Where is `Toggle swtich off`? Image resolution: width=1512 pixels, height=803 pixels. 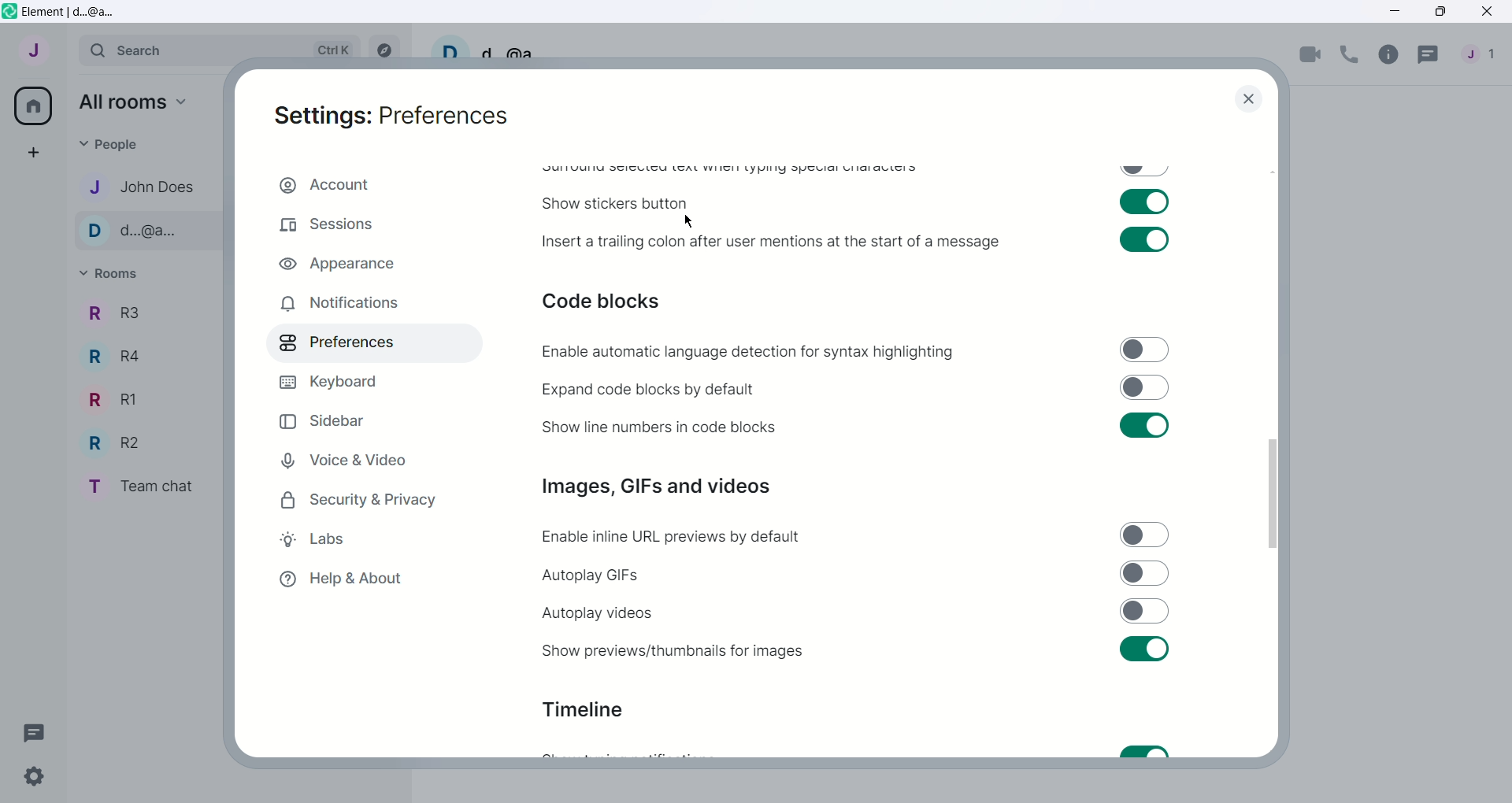
Toggle swtich off is located at coordinates (1144, 172).